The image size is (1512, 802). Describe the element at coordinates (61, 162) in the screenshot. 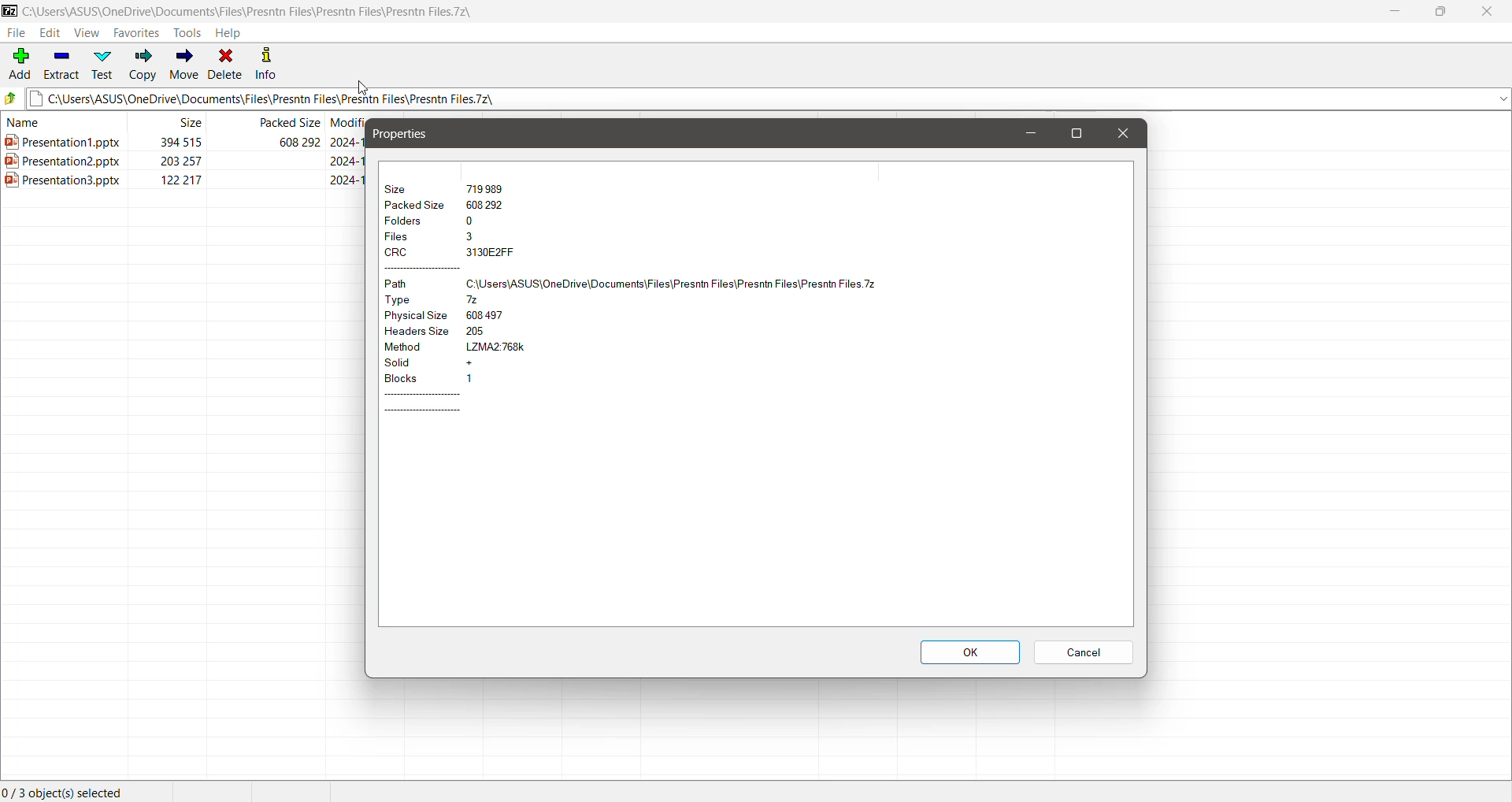

I see `Presentation2.pptx` at that location.